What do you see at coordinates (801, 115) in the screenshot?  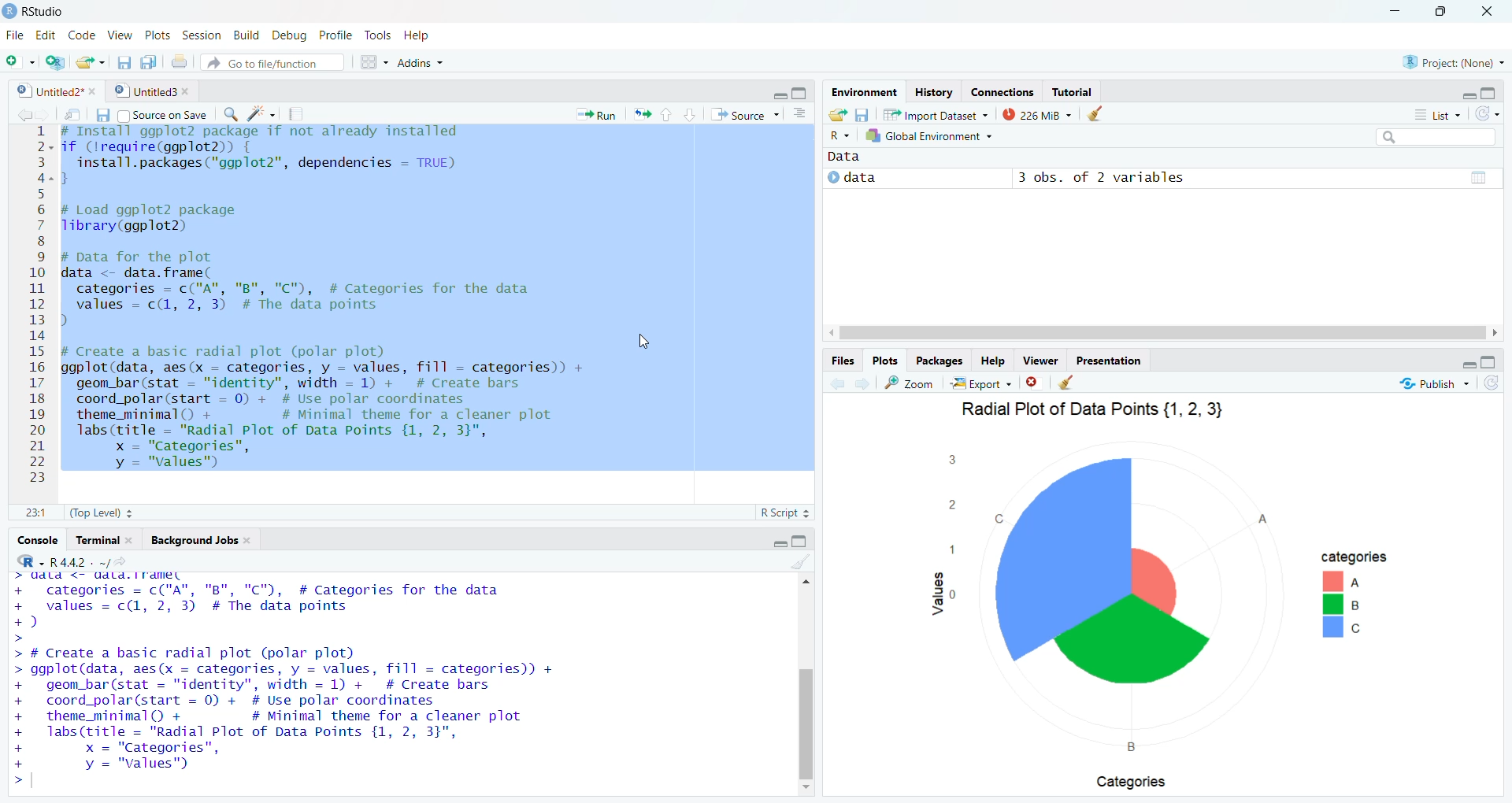 I see `document outline` at bounding box center [801, 115].